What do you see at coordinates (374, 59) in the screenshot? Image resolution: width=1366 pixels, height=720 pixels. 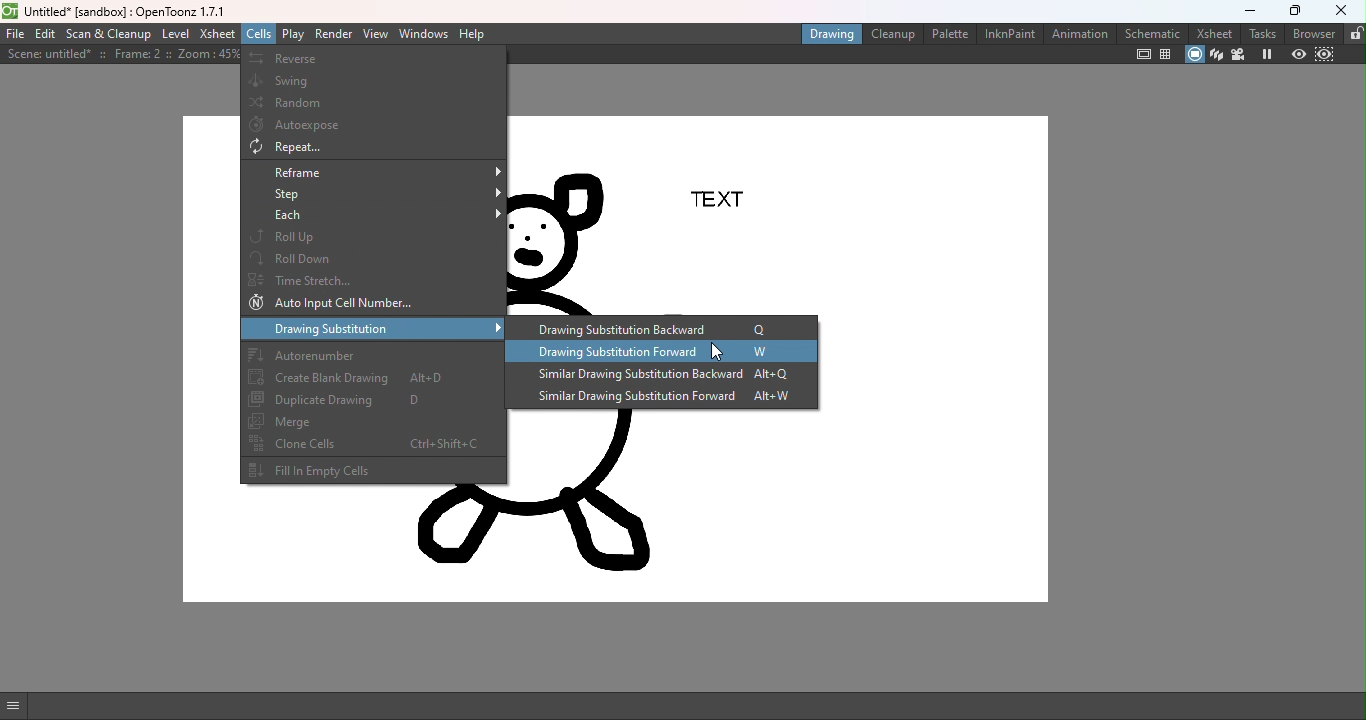 I see `Reverse` at bounding box center [374, 59].